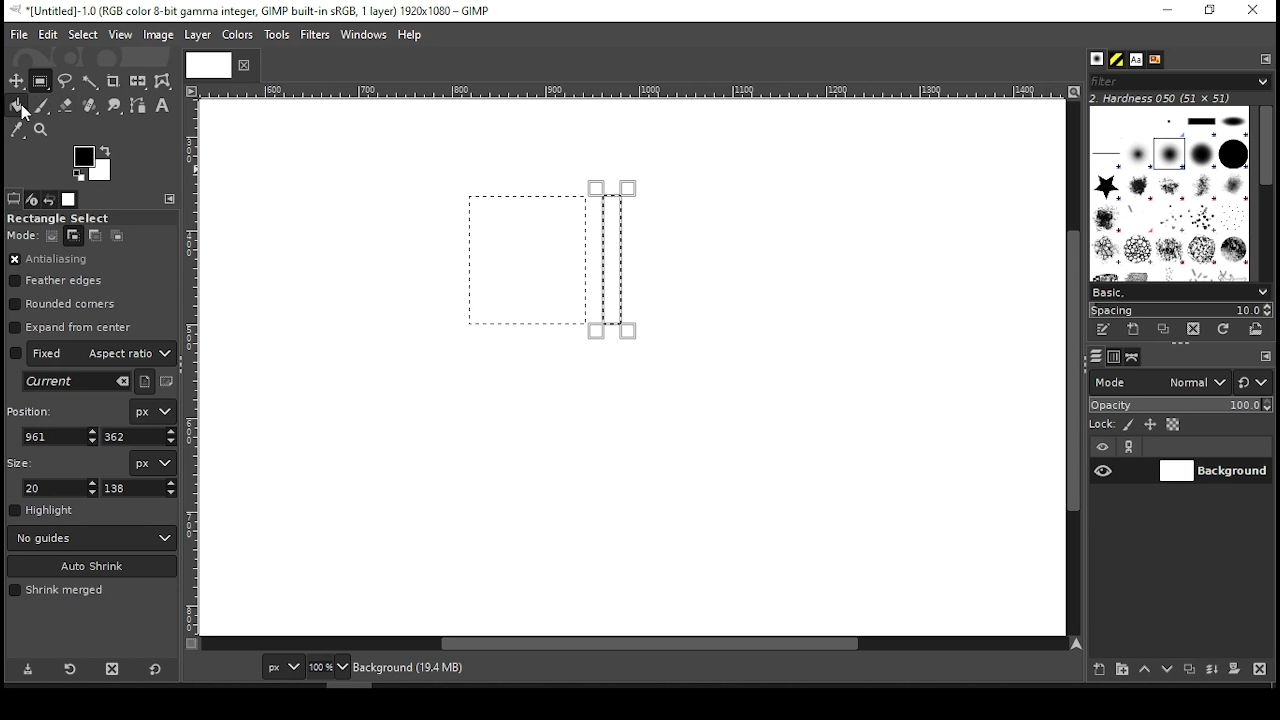 This screenshot has height=720, width=1280. I want to click on layer , so click(1213, 471).